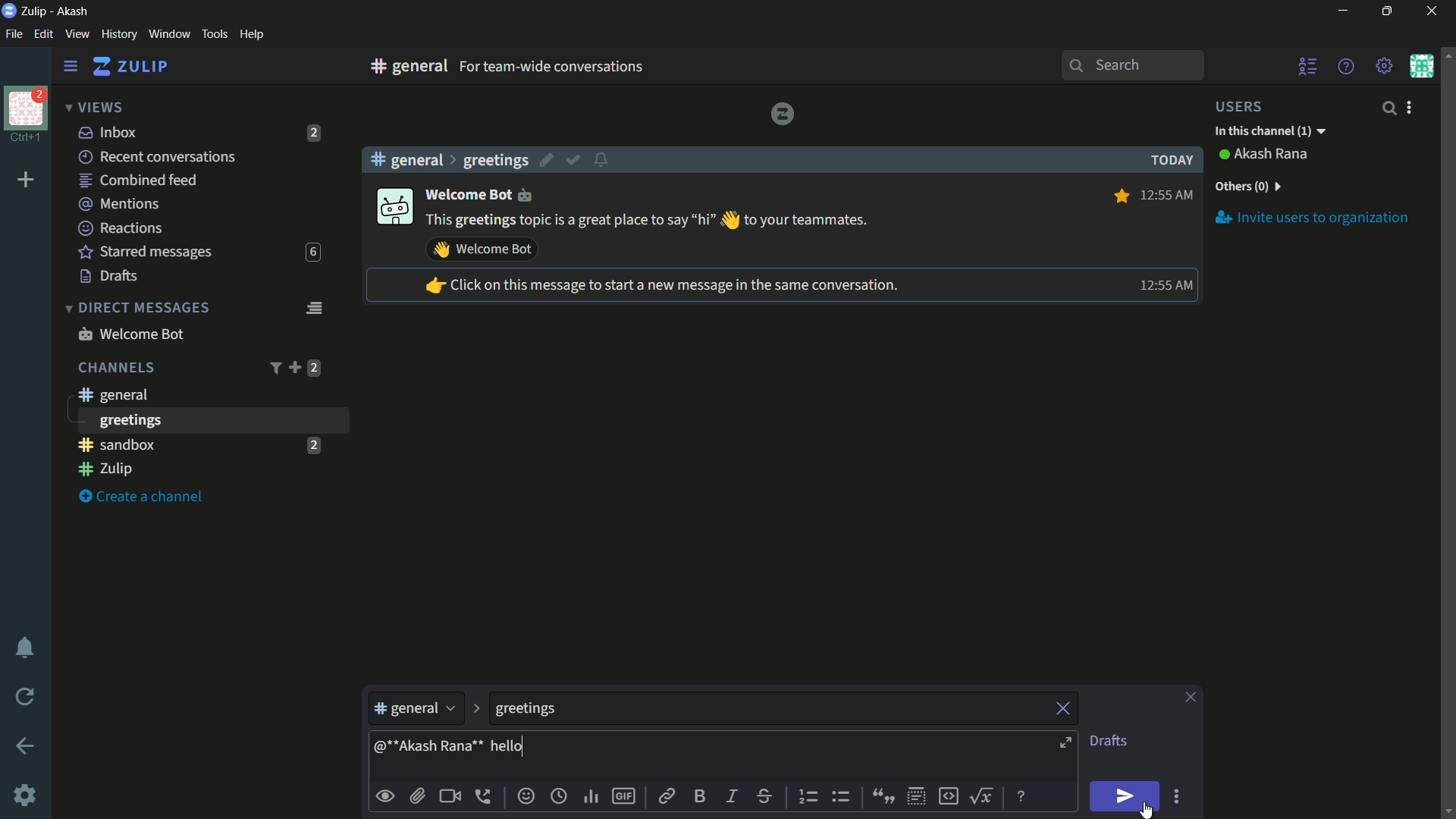  Describe the element at coordinates (526, 796) in the screenshot. I see `add emoji` at that location.